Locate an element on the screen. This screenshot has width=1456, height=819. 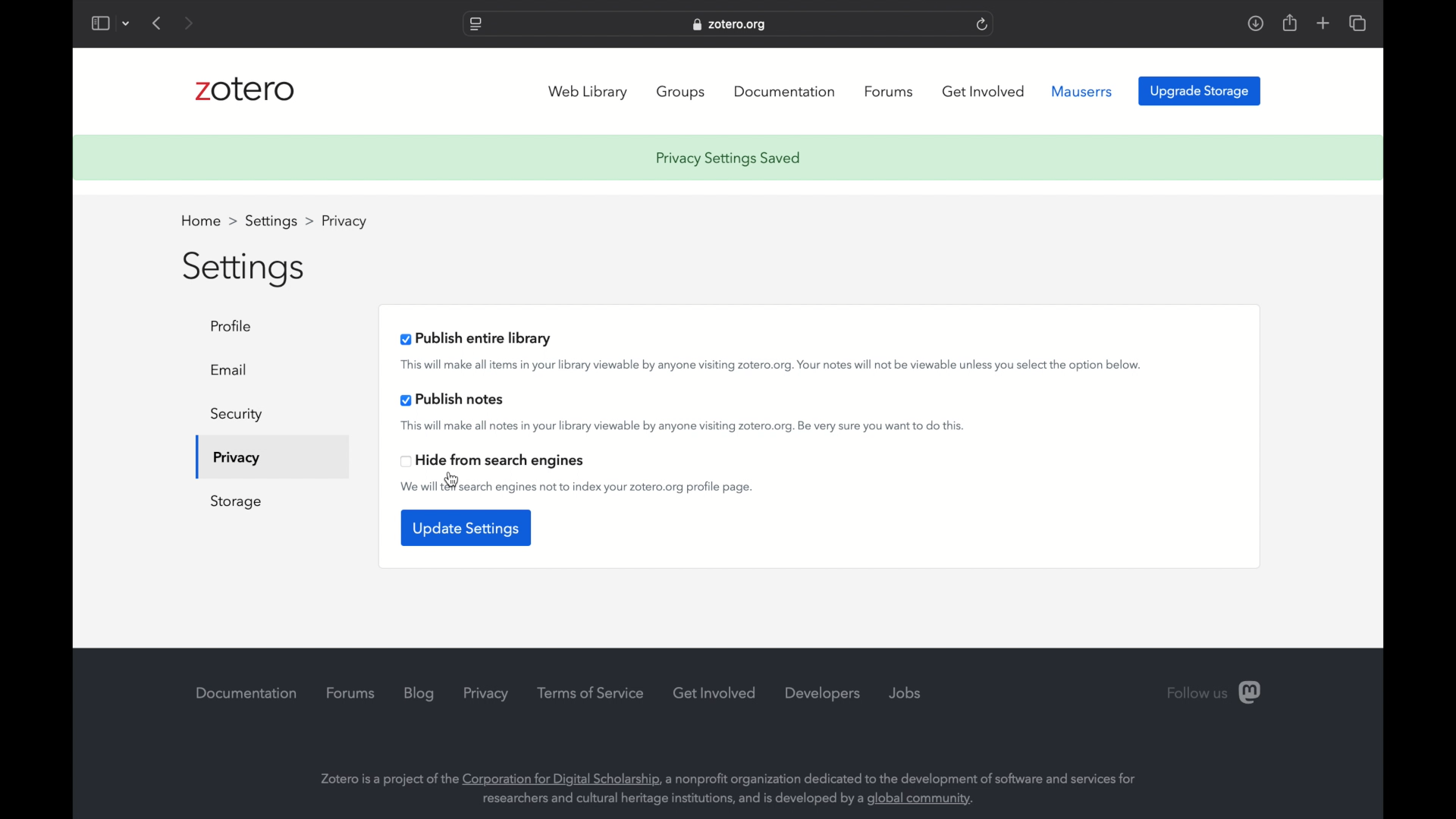
zotero is located at coordinates (245, 89).